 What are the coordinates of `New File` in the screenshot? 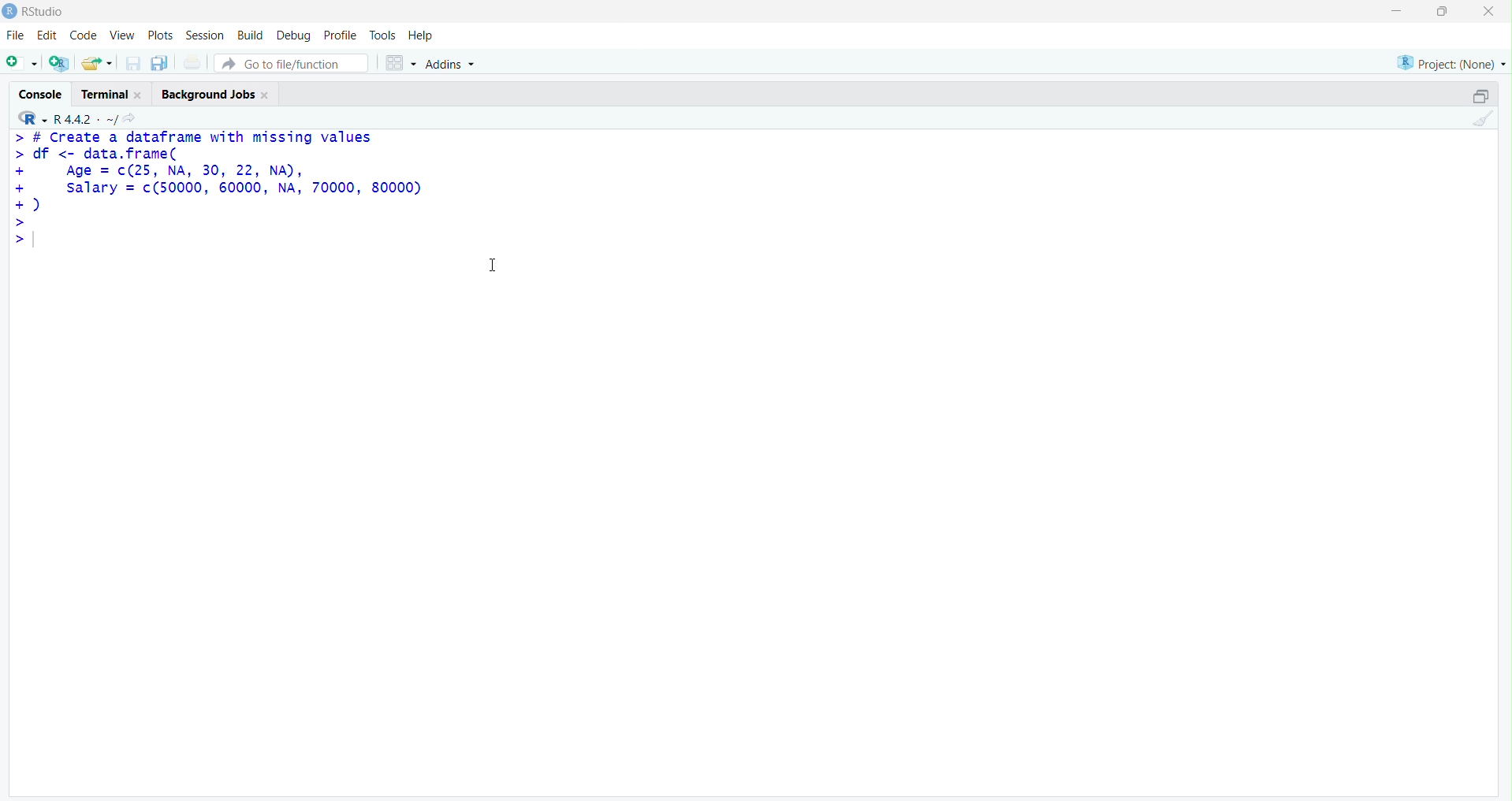 It's located at (21, 58).